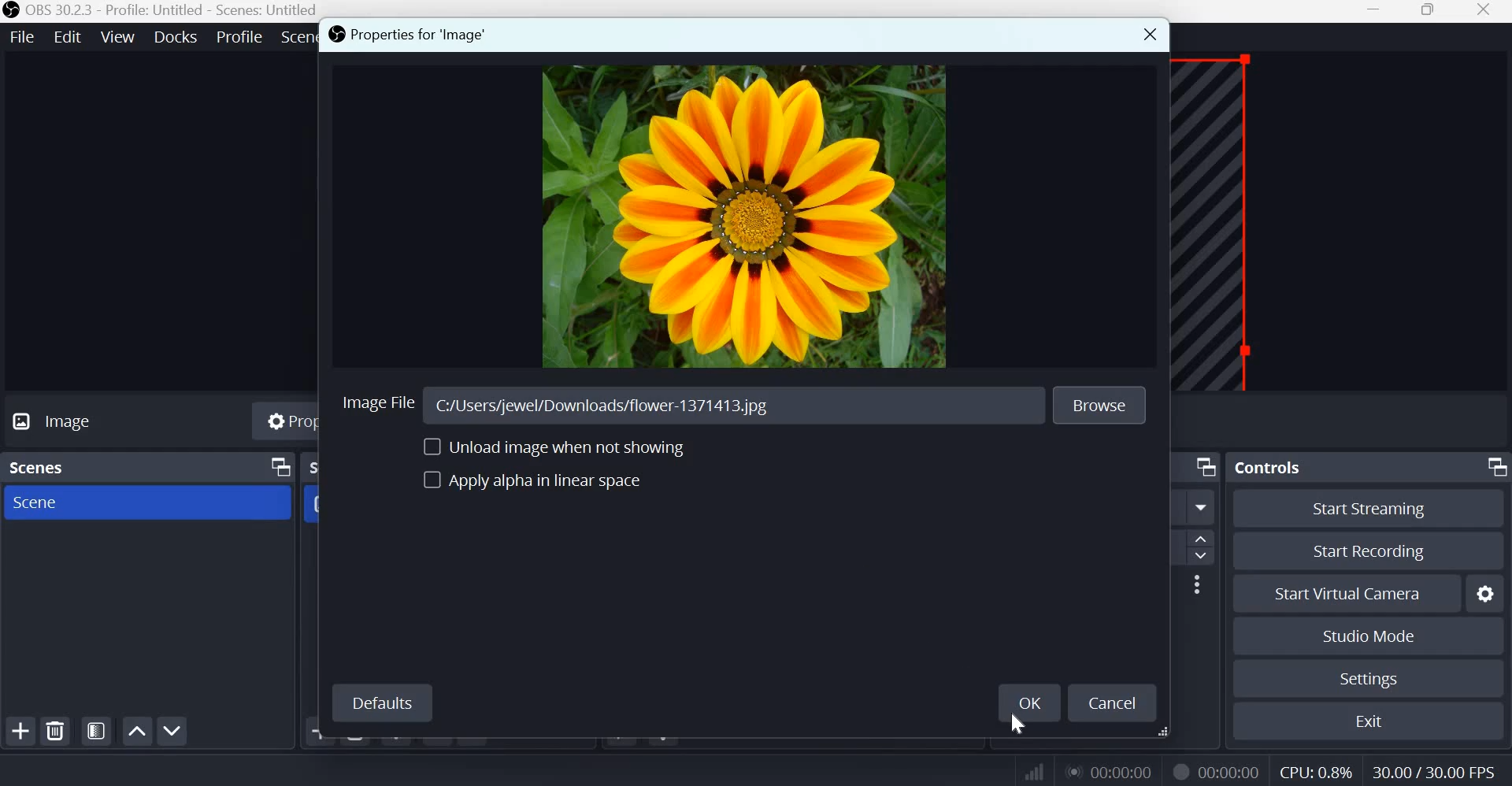 The width and height of the screenshot is (1512, 786). What do you see at coordinates (1488, 13) in the screenshot?
I see `close` at bounding box center [1488, 13].